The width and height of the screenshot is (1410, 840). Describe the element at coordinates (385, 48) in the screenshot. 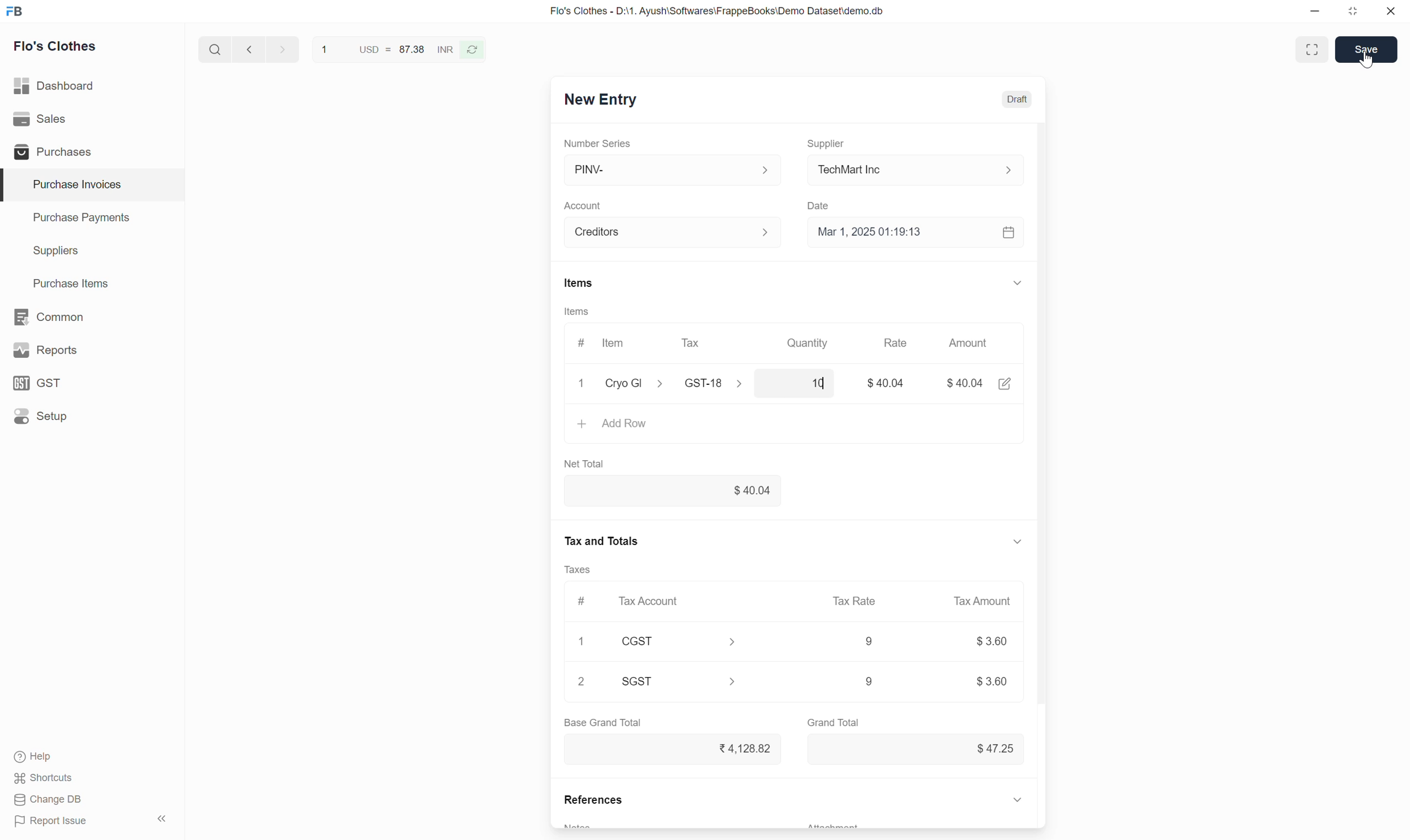

I see `1 USD = 87.38 INR` at that location.